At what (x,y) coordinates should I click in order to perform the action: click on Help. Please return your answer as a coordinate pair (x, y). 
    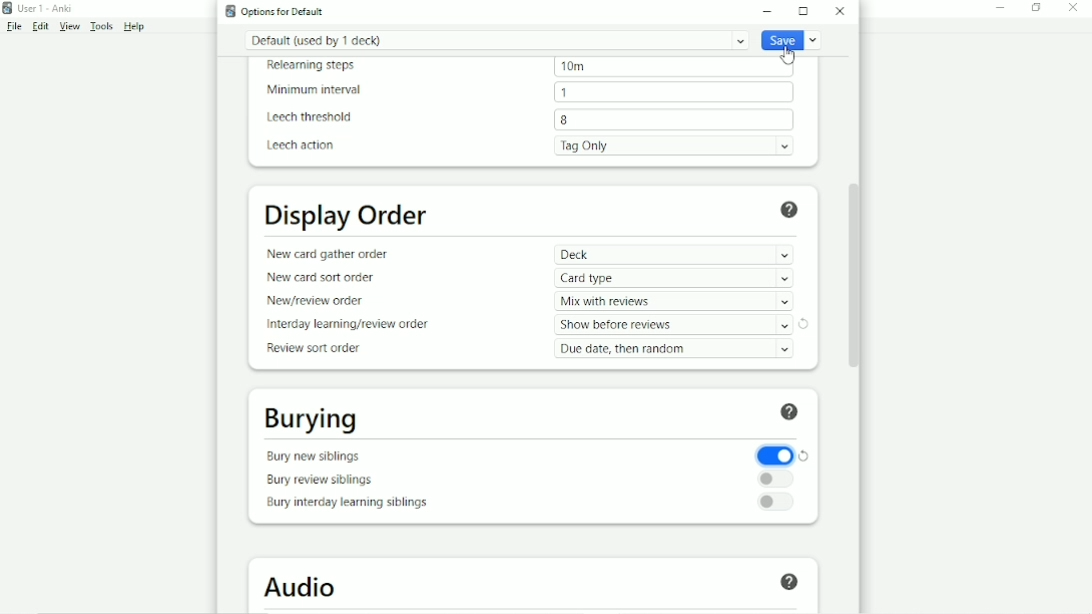
    Looking at the image, I should click on (792, 414).